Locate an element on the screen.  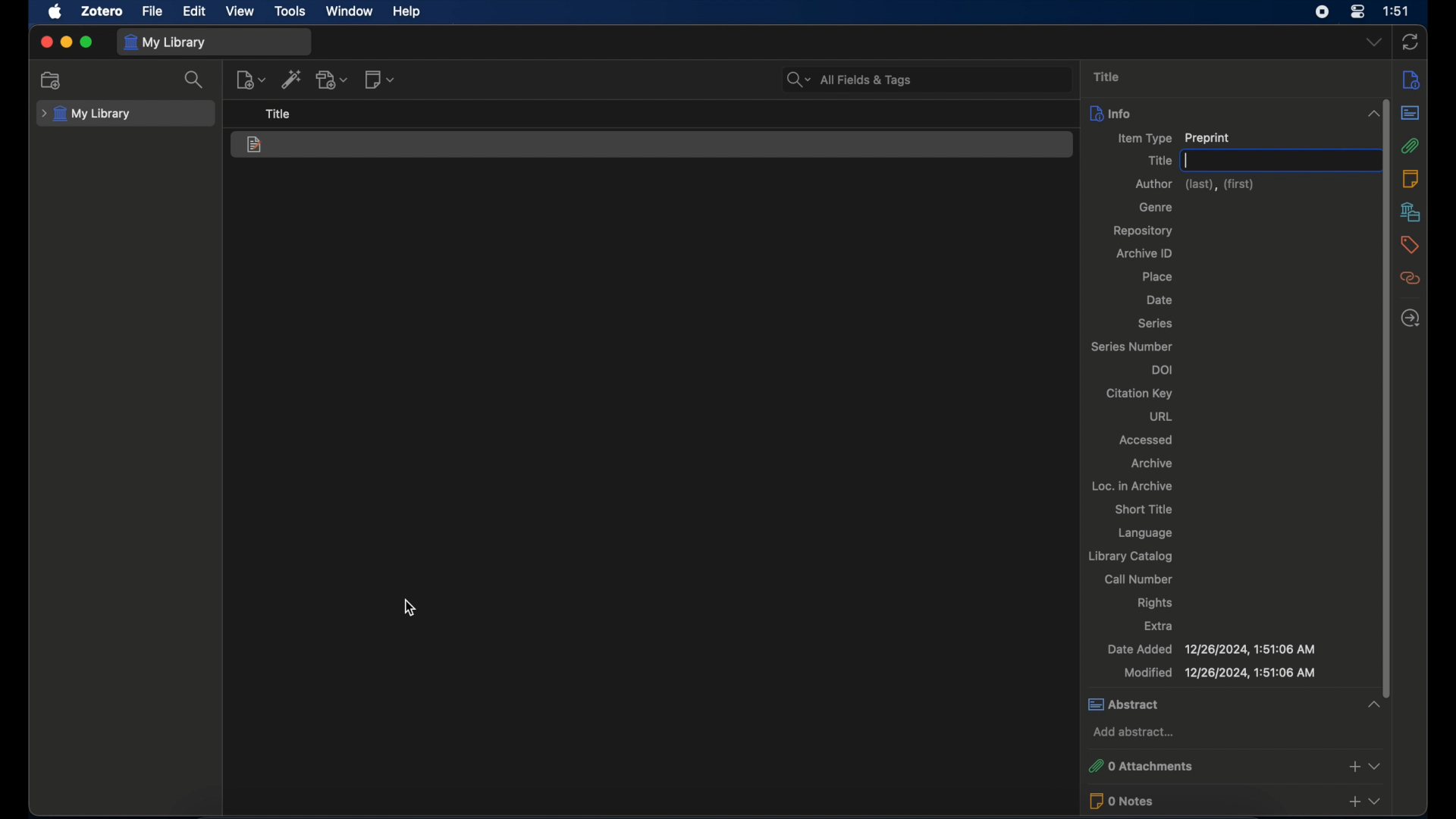
abstract is located at coordinates (1410, 112).